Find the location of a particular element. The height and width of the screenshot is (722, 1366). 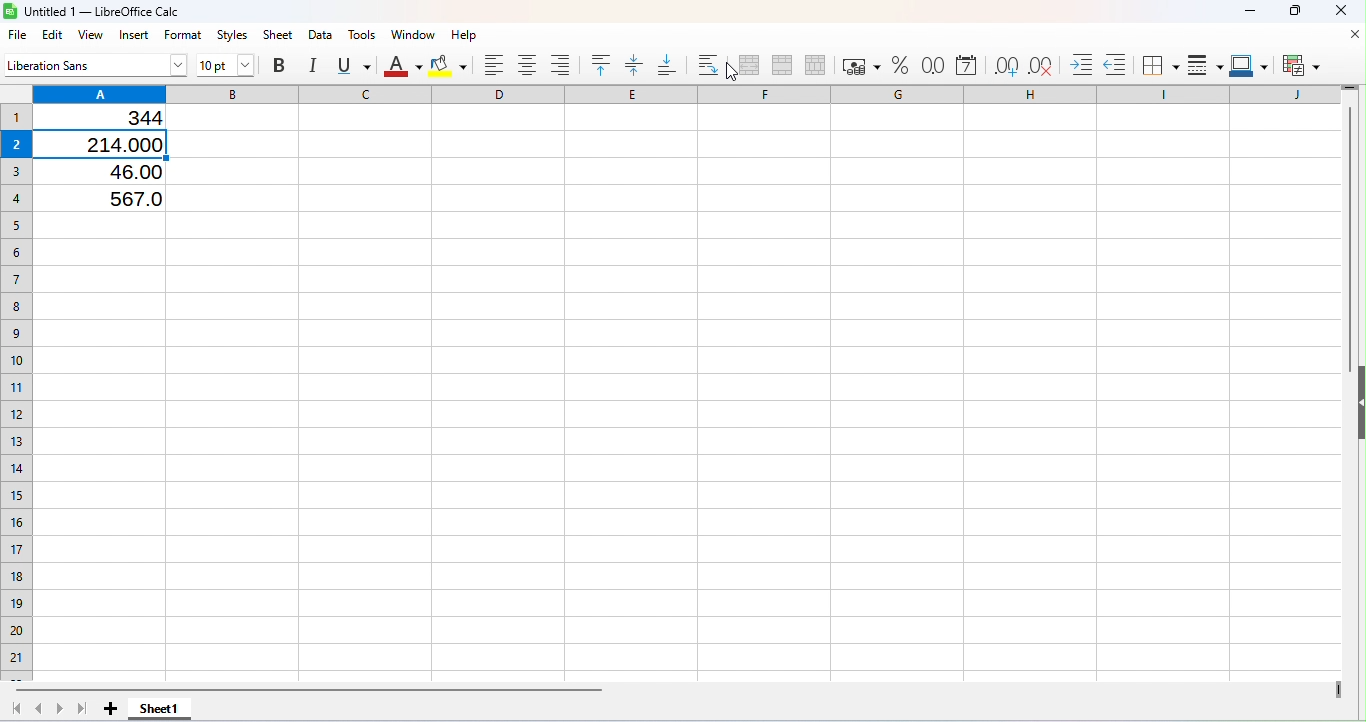

Merge cells is located at coordinates (780, 64).